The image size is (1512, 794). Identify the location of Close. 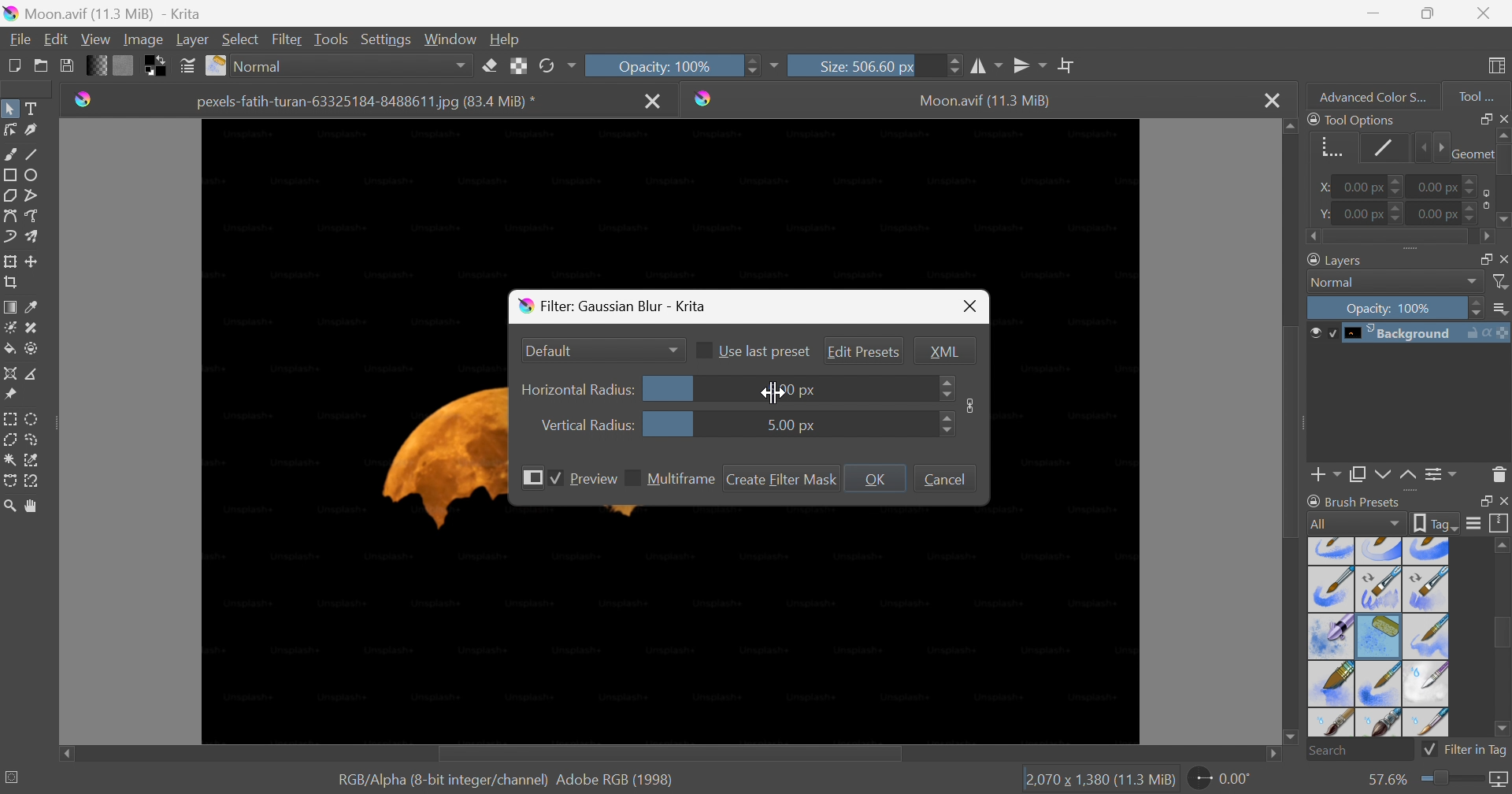
(654, 102).